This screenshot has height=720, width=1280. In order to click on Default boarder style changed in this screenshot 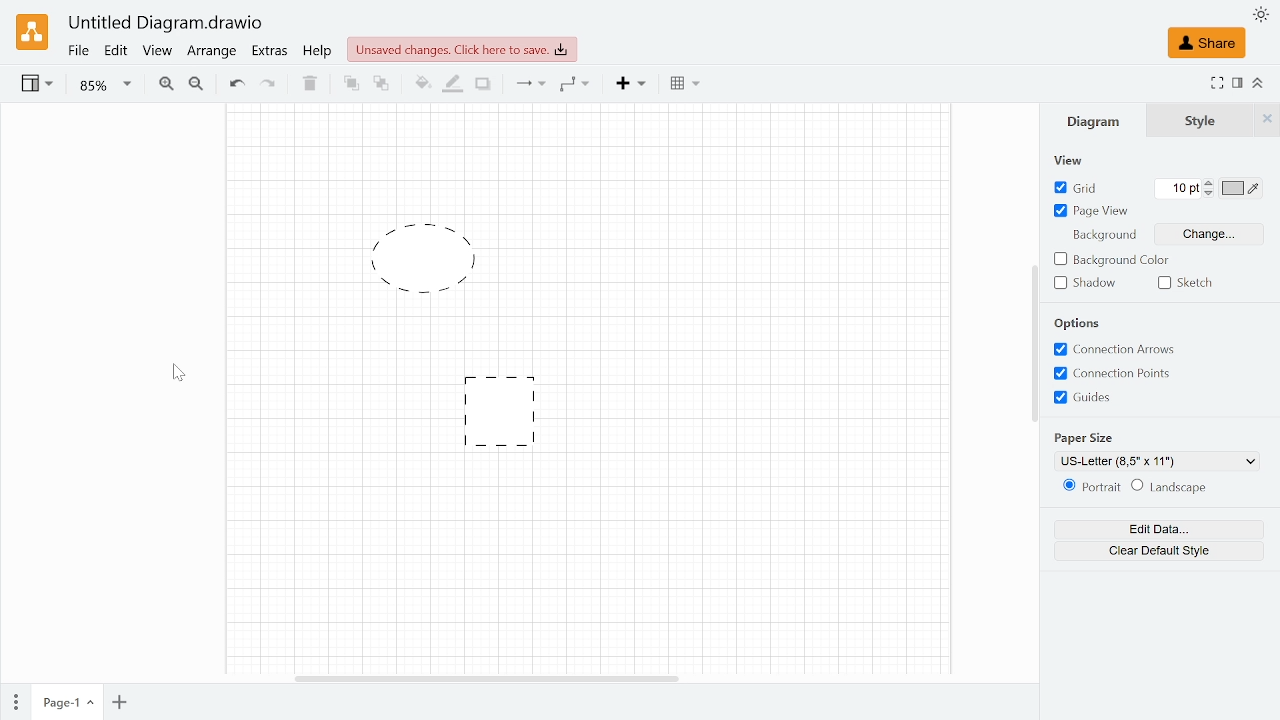, I will do `click(450, 334)`.